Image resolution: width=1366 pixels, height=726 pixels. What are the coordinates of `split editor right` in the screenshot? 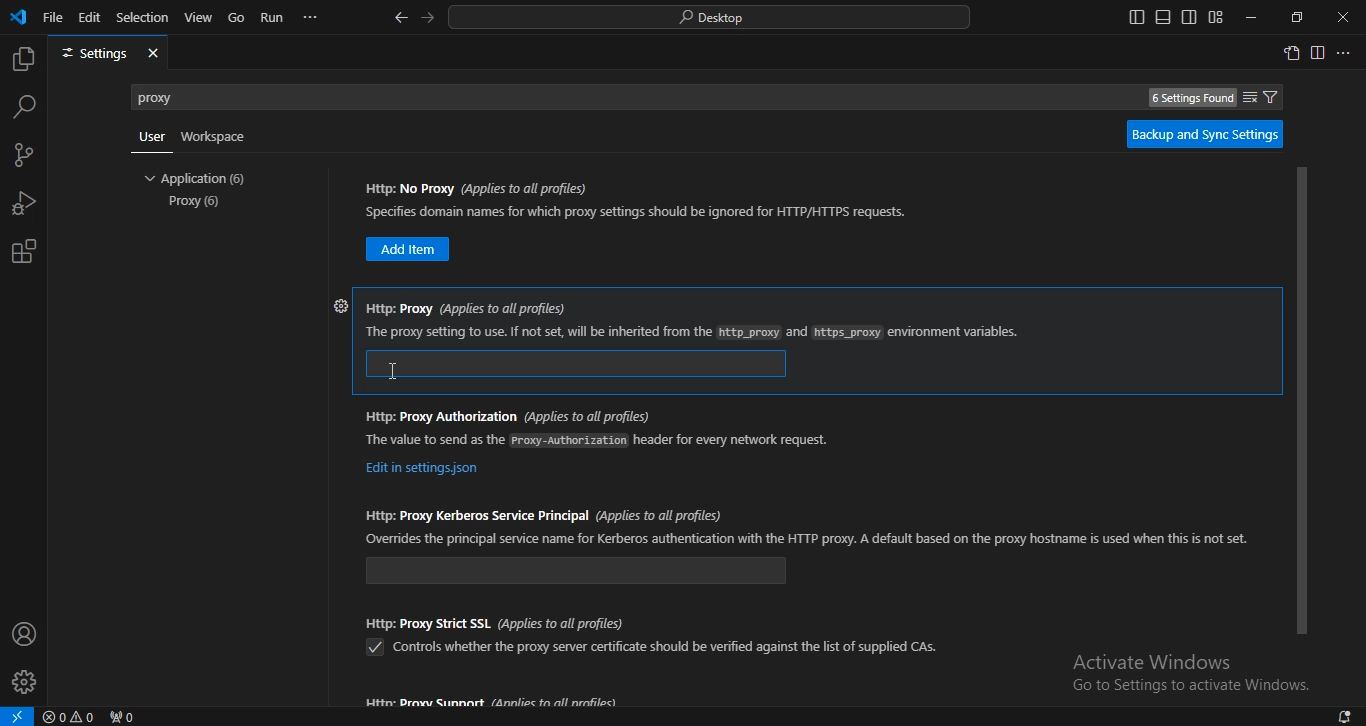 It's located at (1317, 53).